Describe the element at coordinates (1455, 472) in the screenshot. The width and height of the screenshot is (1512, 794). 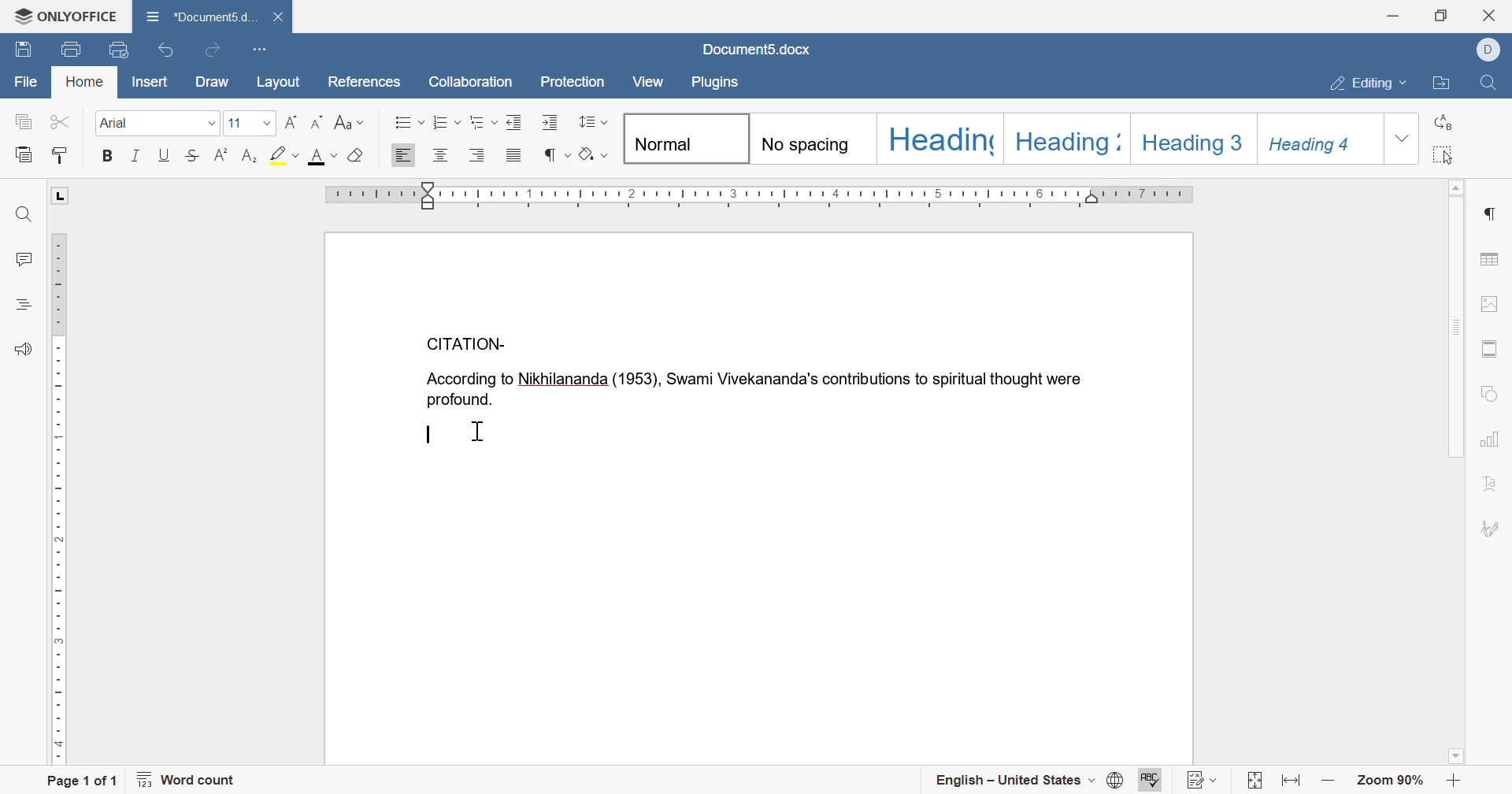
I see `Scroll Bar` at that location.